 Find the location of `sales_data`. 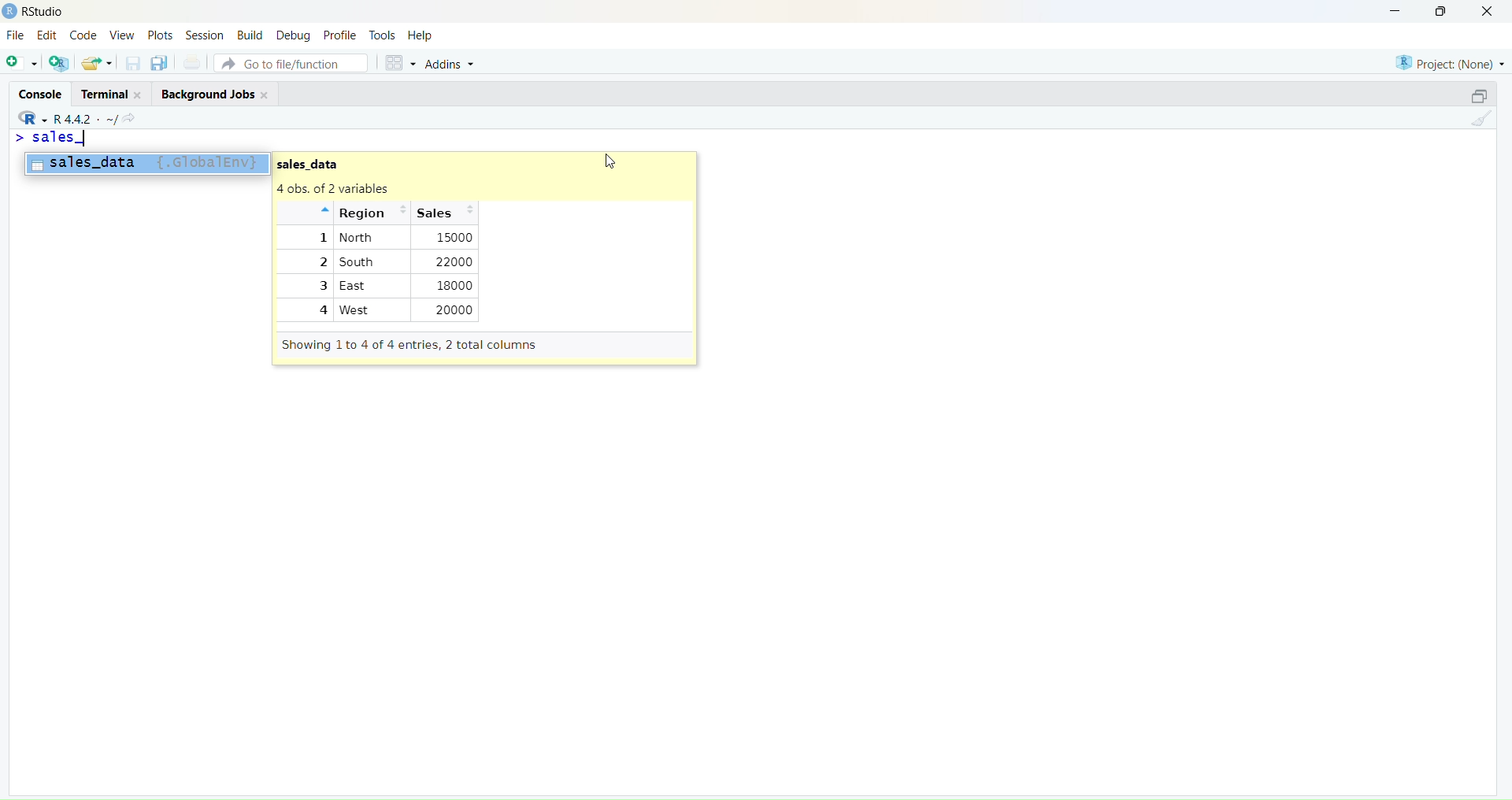

sales_data is located at coordinates (321, 162).